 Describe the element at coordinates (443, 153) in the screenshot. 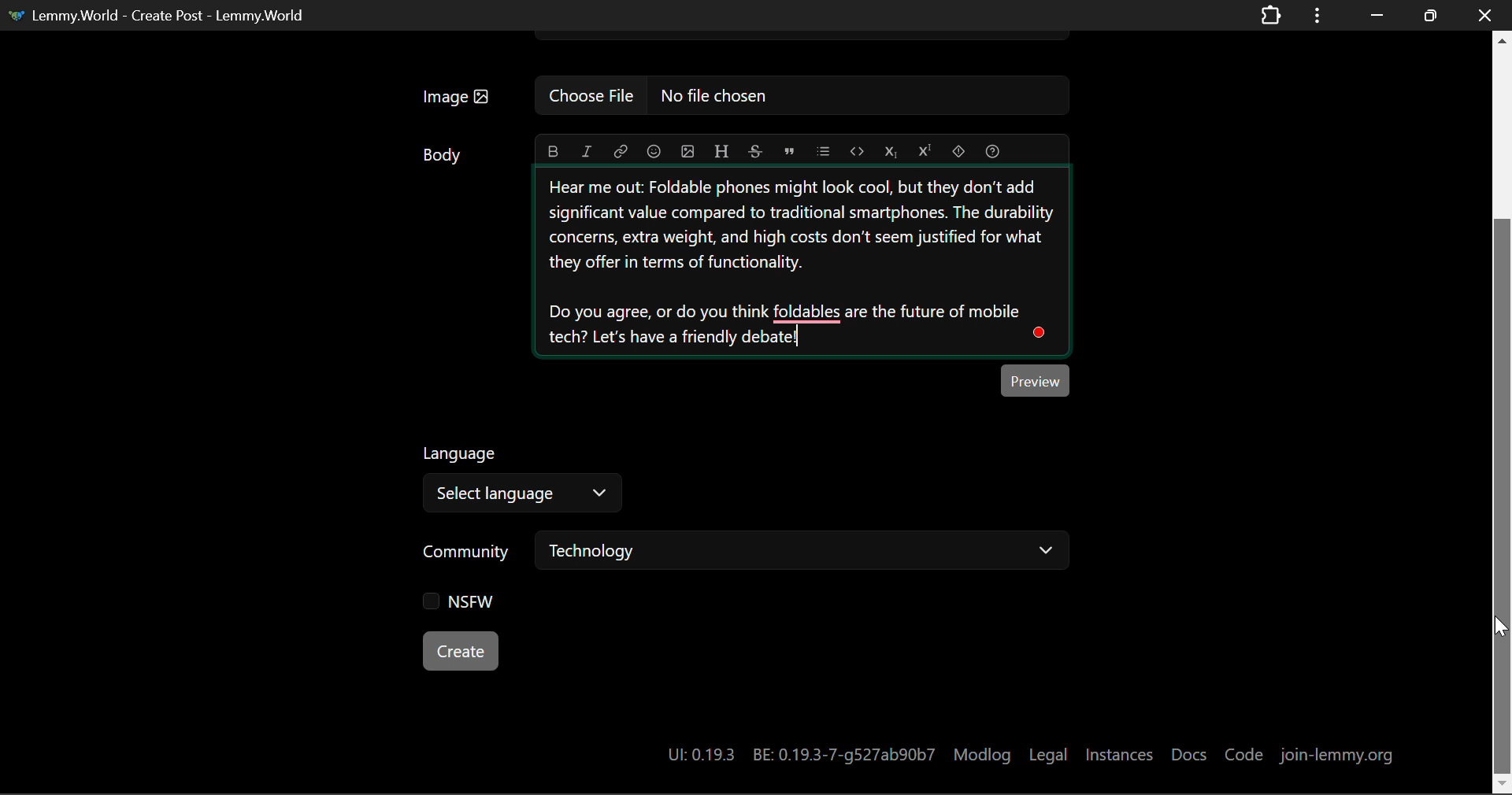

I see `Body` at that location.